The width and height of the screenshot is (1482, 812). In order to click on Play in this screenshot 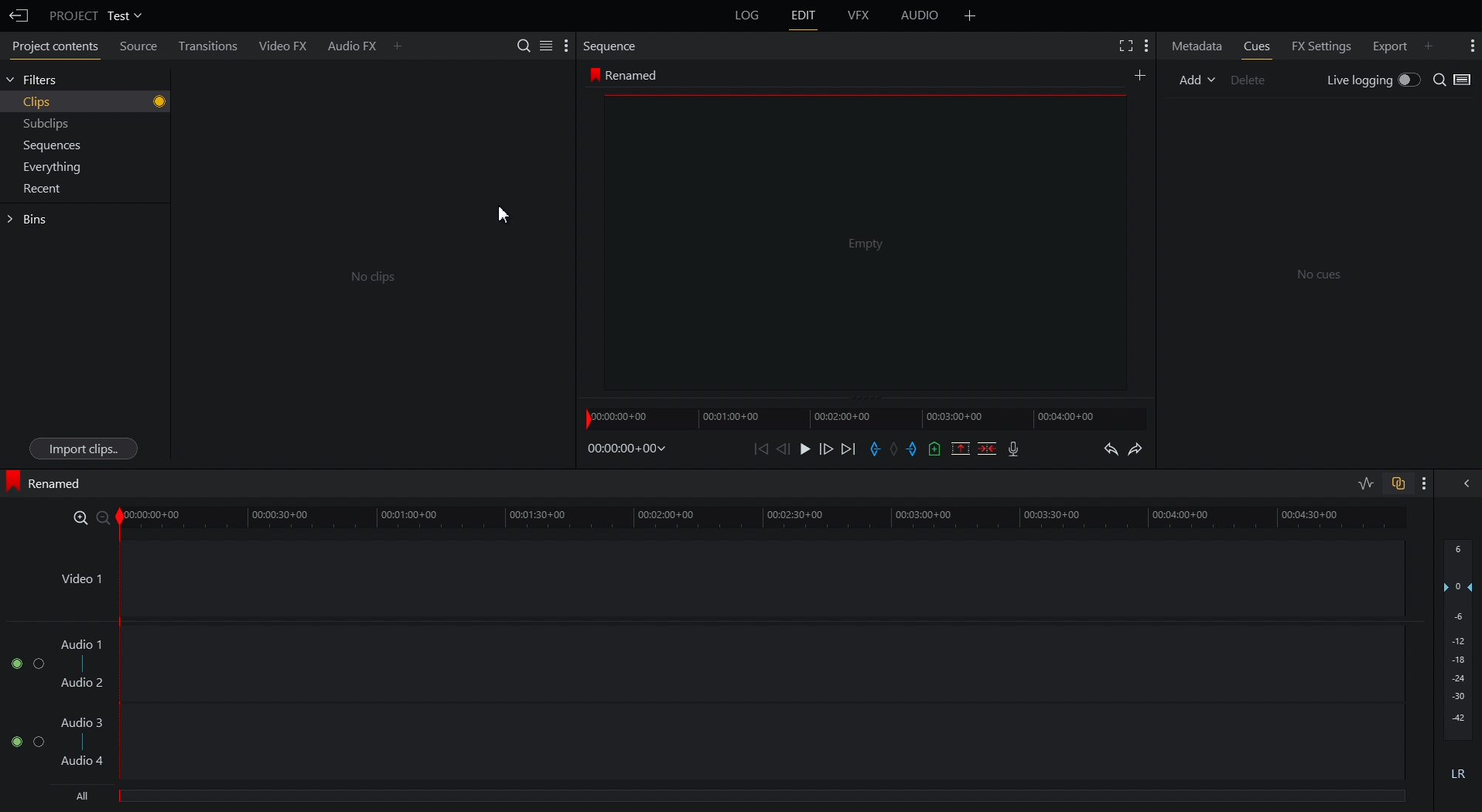, I will do `click(804, 449)`.